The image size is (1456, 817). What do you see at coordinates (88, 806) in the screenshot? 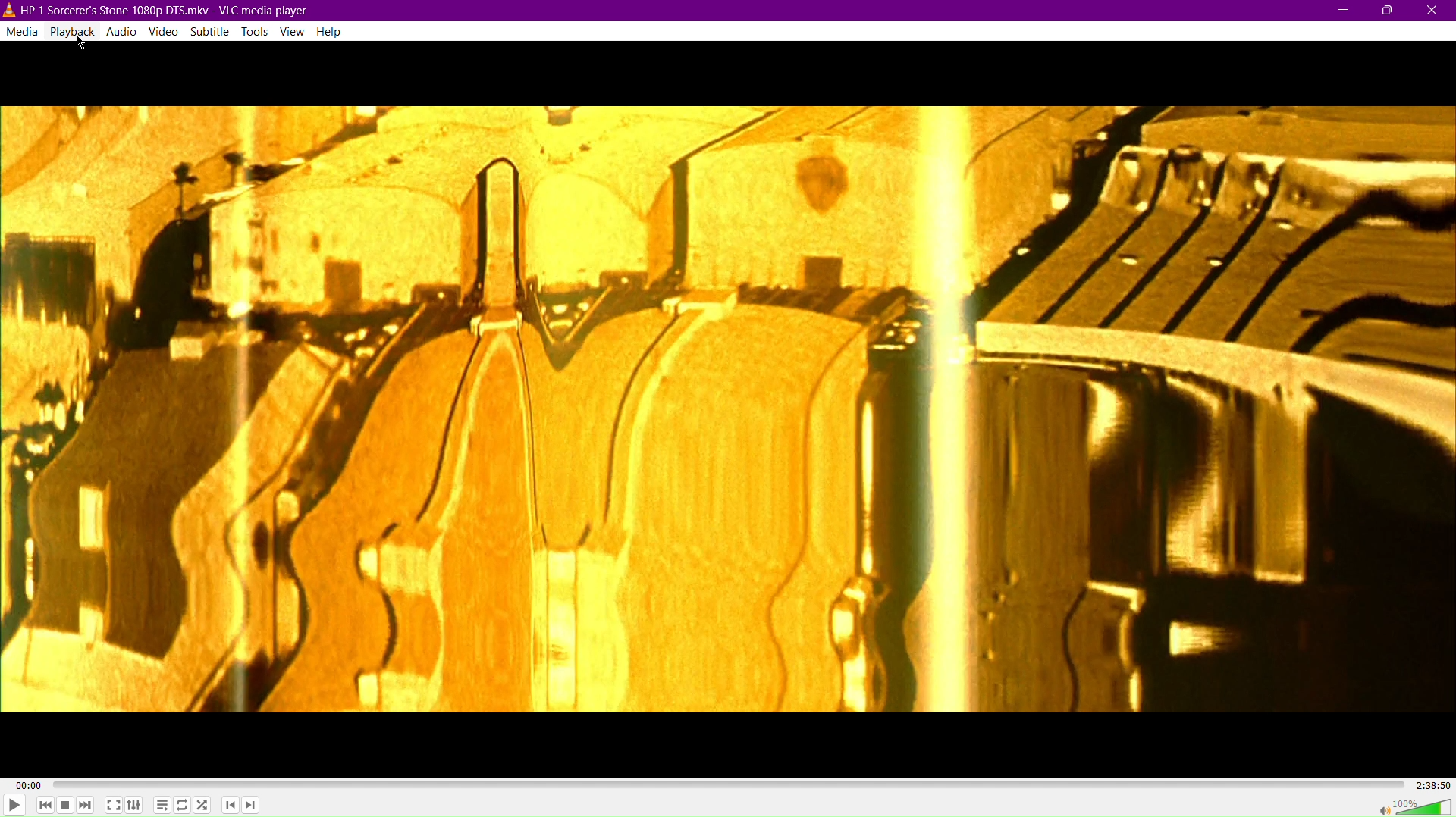
I see `Skip Forward` at bounding box center [88, 806].